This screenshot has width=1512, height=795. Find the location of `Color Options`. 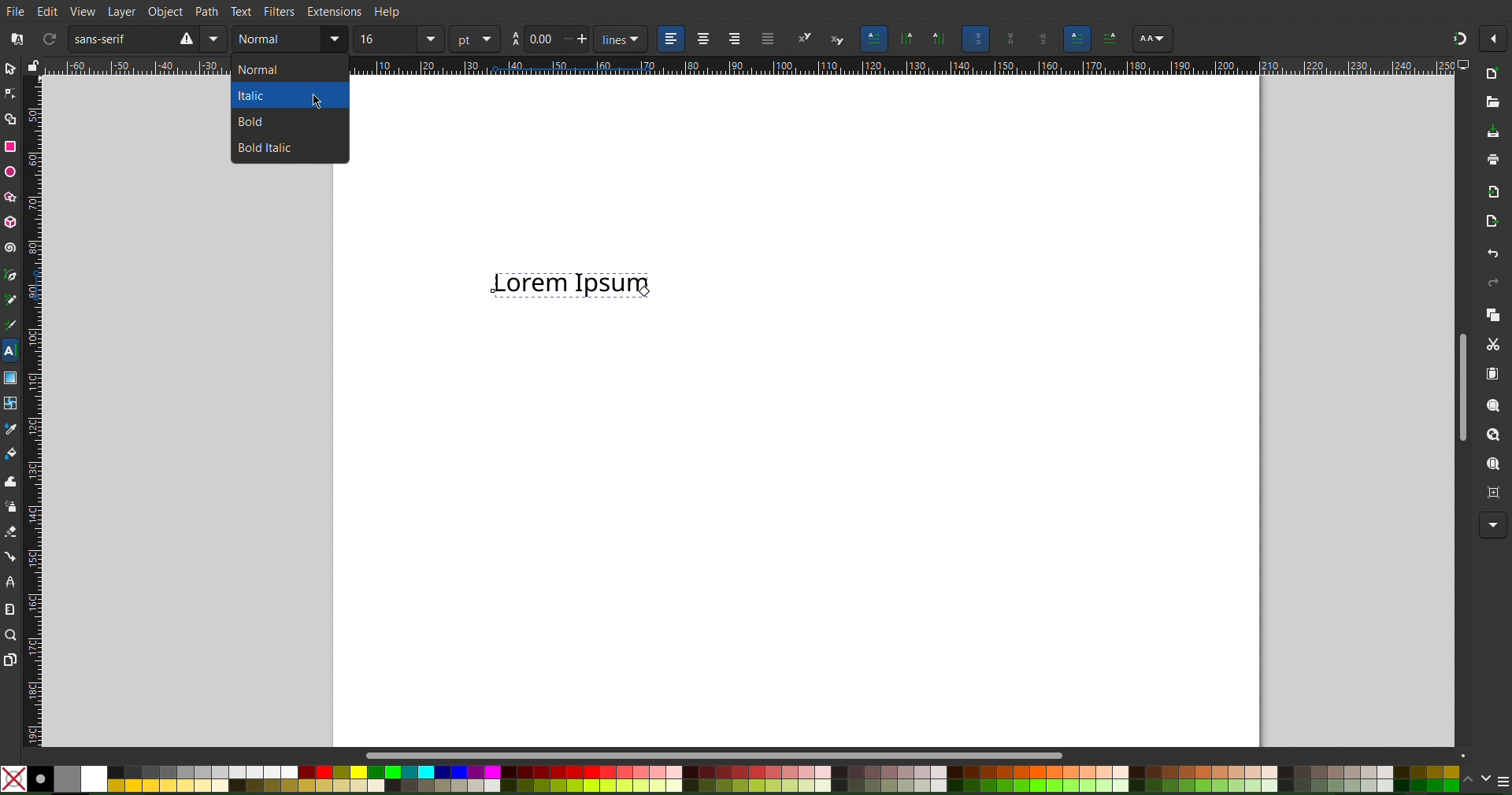

Color Options is located at coordinates (1490, 780).